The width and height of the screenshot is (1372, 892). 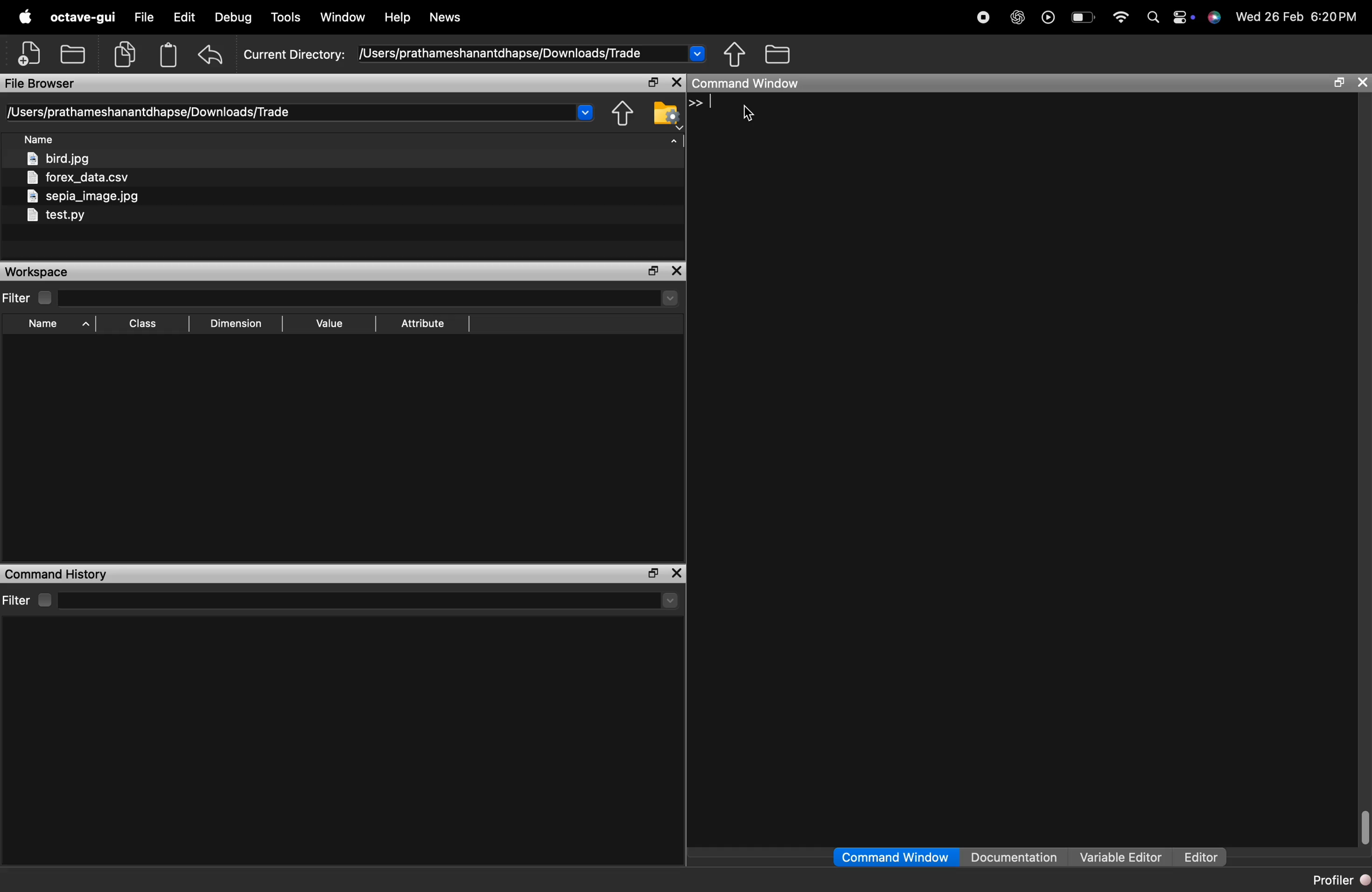 What do you see at coordinates (424, 324) in the screenshot?
I see `Attribute` at bounding box center [424, 324].